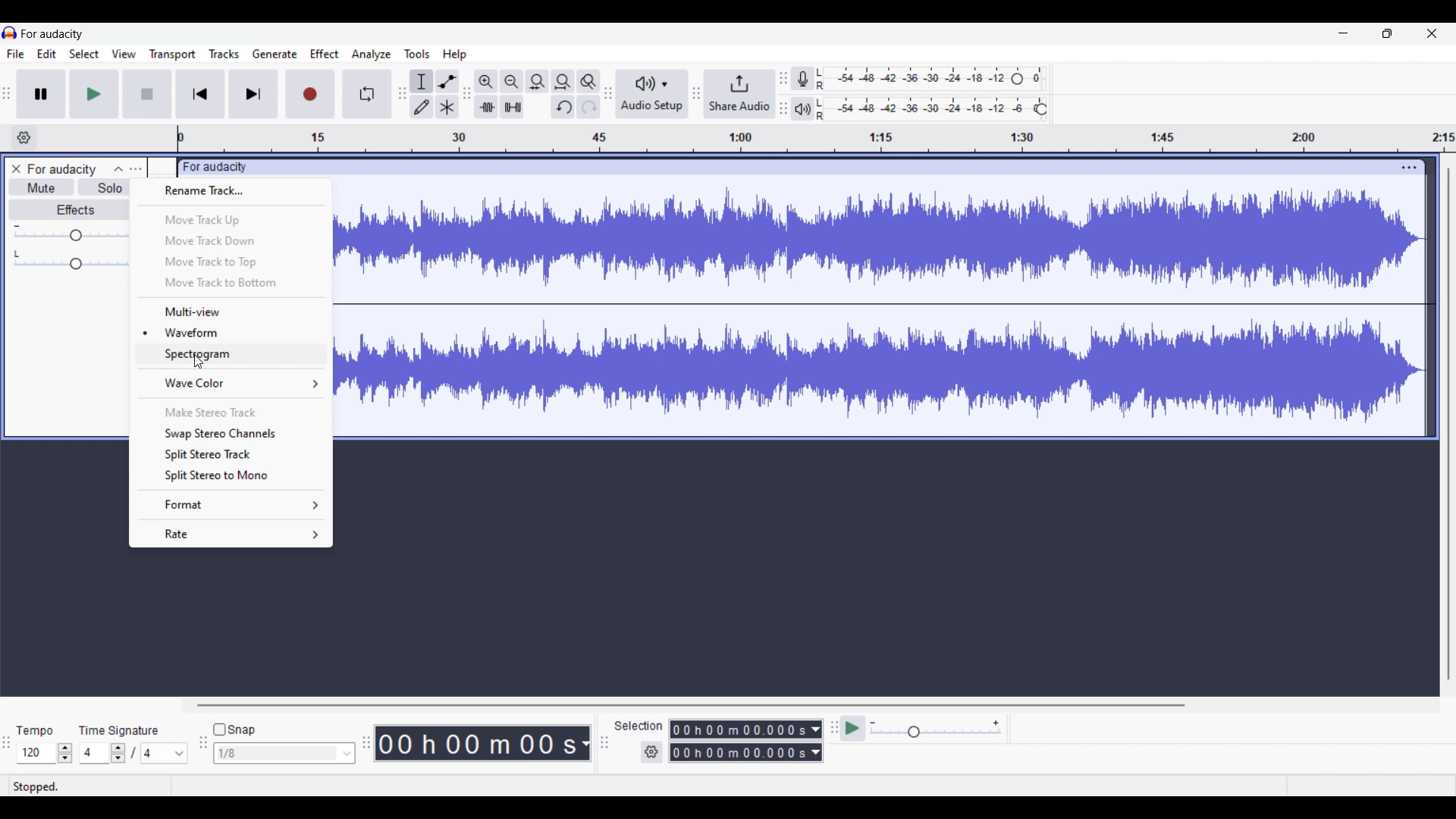 This screenshot has height=819, width=1456. I want to click on Timeline options, so click(25, 138).